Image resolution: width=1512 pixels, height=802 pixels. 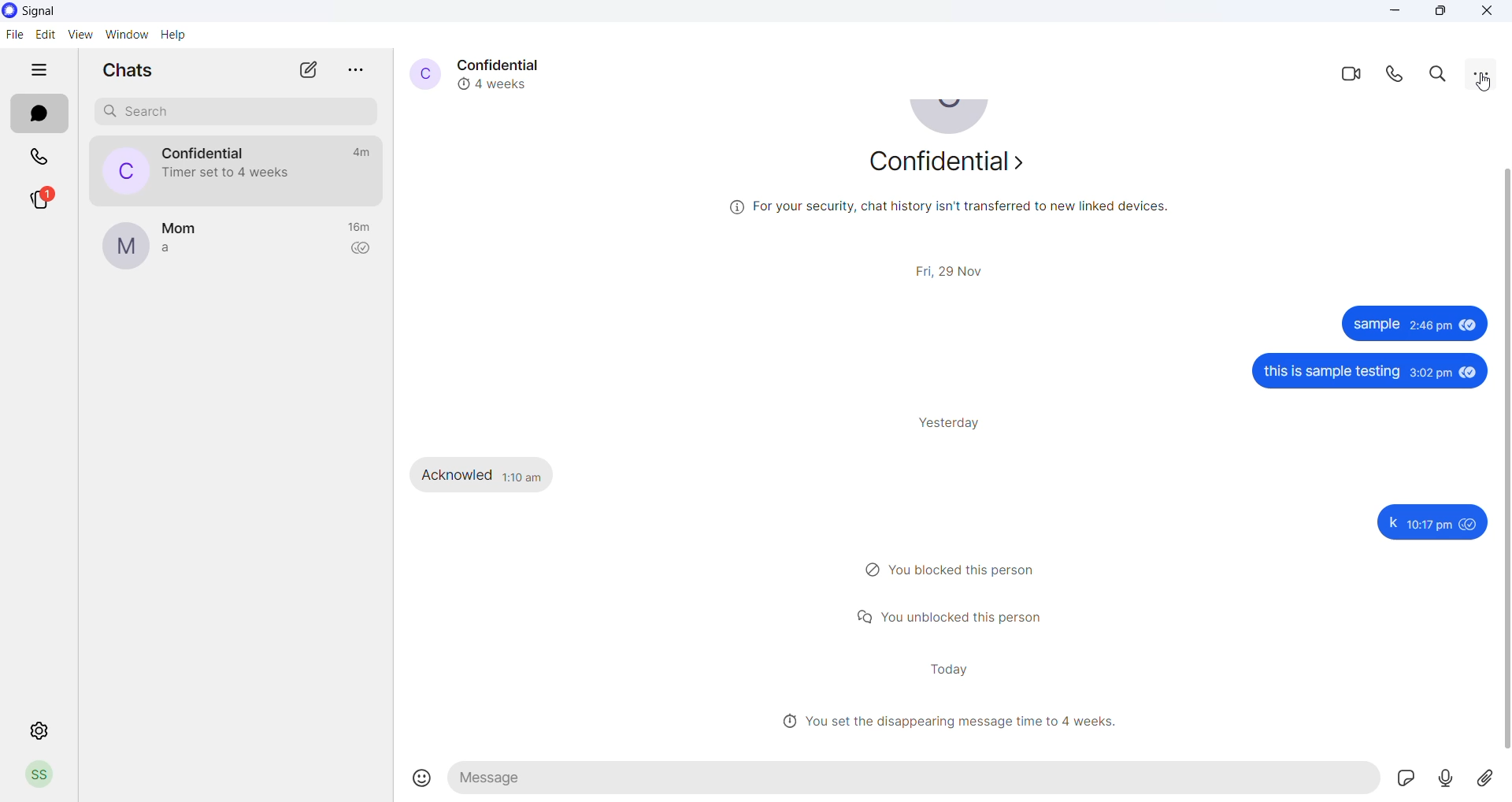 I want to click on calls, so click(x=1399, y=74).